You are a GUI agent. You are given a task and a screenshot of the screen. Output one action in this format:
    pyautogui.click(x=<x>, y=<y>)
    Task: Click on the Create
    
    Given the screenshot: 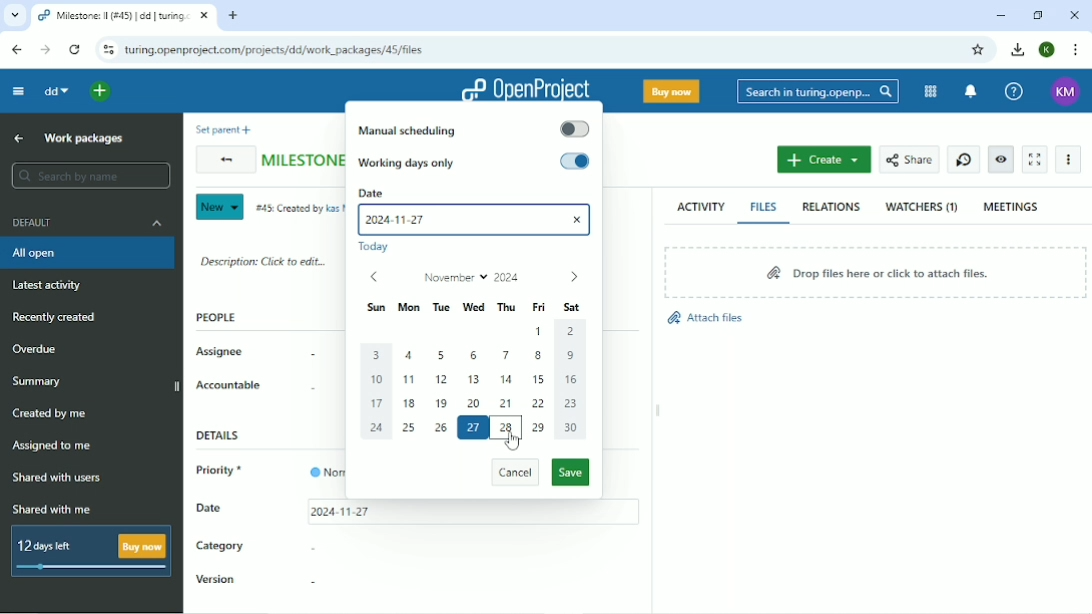 What is the action you would take?
    pyautogui.click(x=824, y=159)
    